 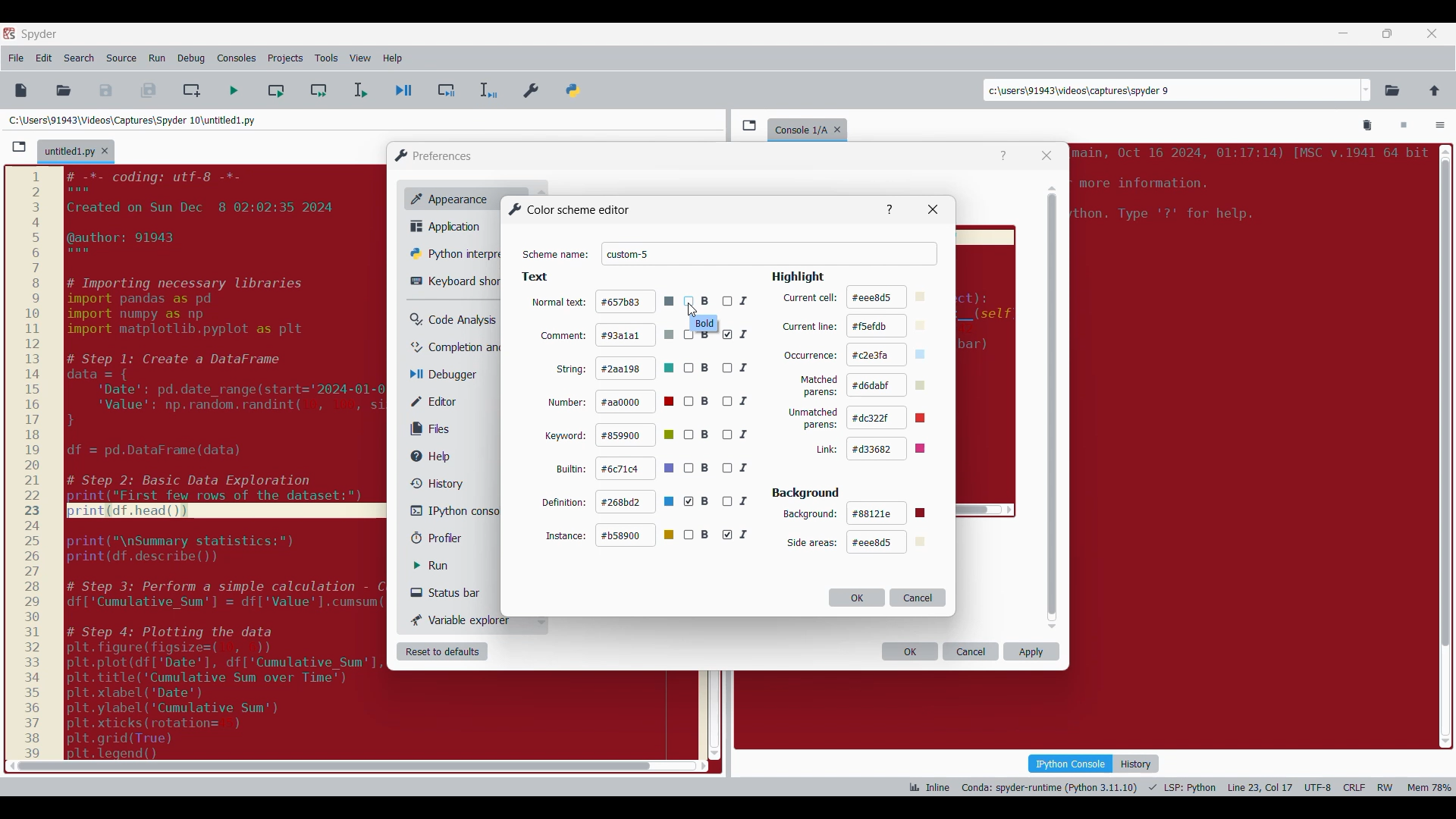 I want to click on current line, so click(x=809, y=327).